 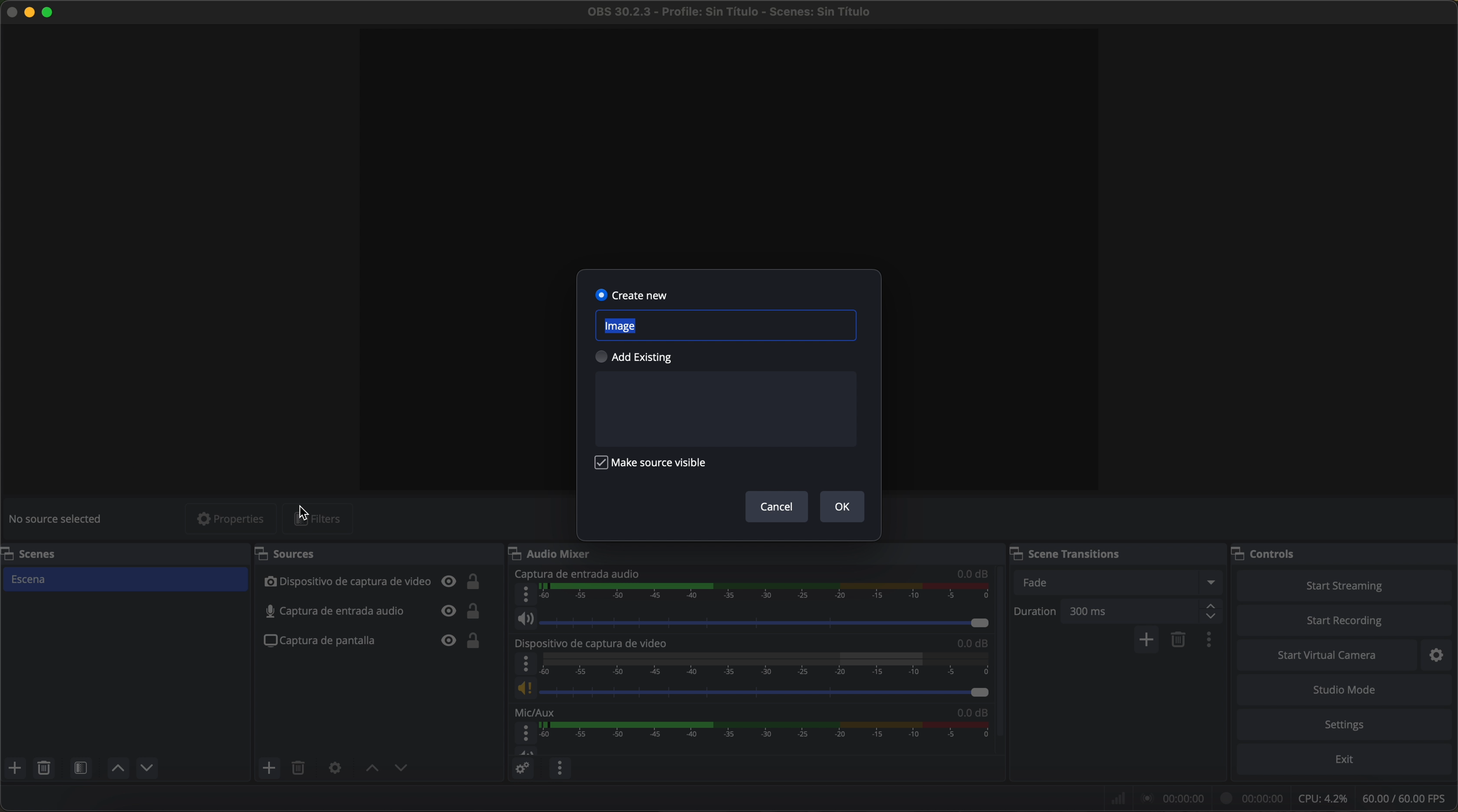 I want to click on timeline, so click(x=766, y=664).